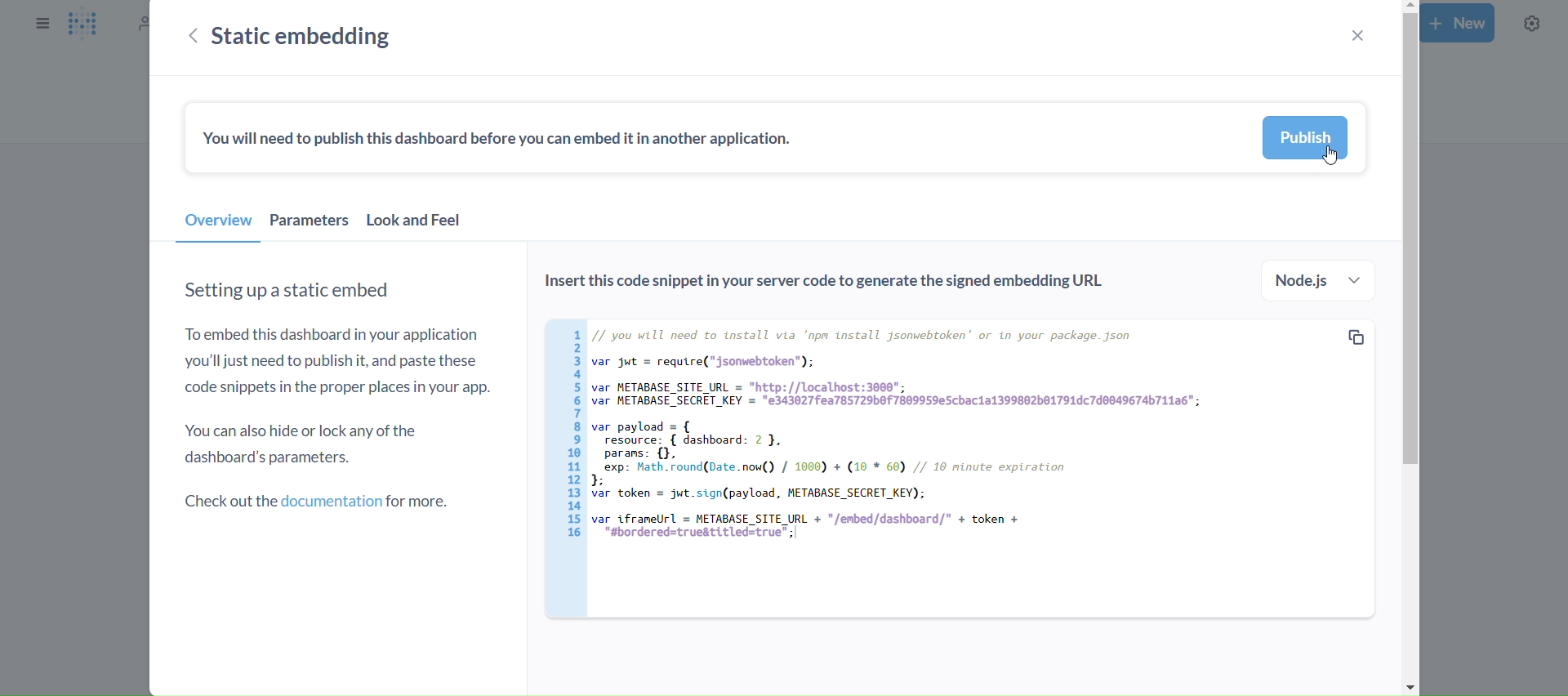 The height and width of the screenshot is (696, 1568). I want to click on Setting up a static embed

To embed this dashboard in your application
you'll just need to publish it, and paste these
code snippets in the proper places in your app.
You can also hide or lock any of the
dashboard’s parameters., so click(339, 377).